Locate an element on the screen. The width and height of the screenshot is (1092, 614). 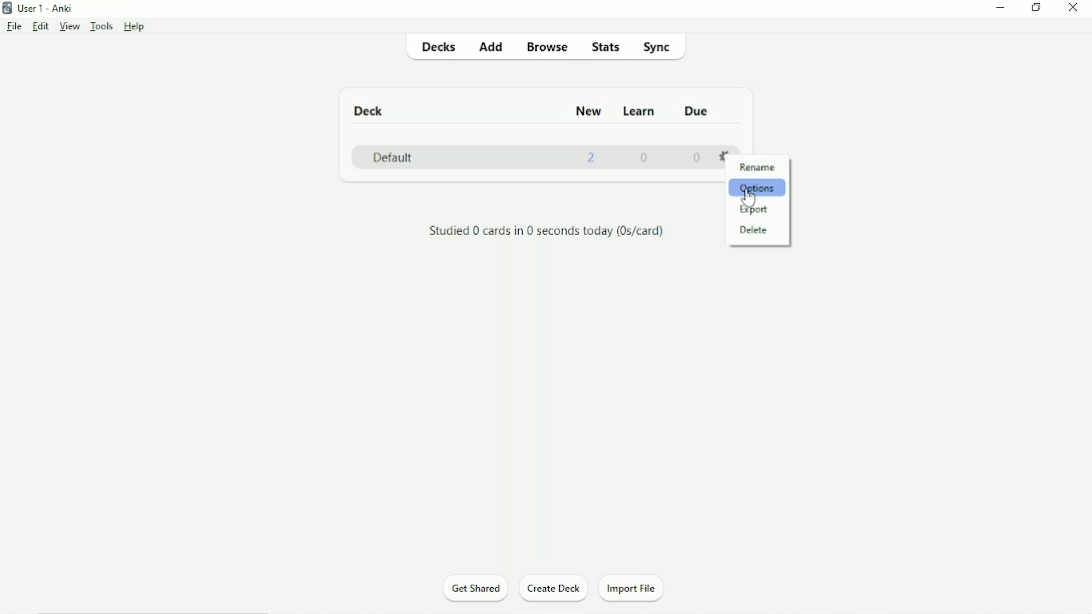
New is located at coordinates (588, 111).